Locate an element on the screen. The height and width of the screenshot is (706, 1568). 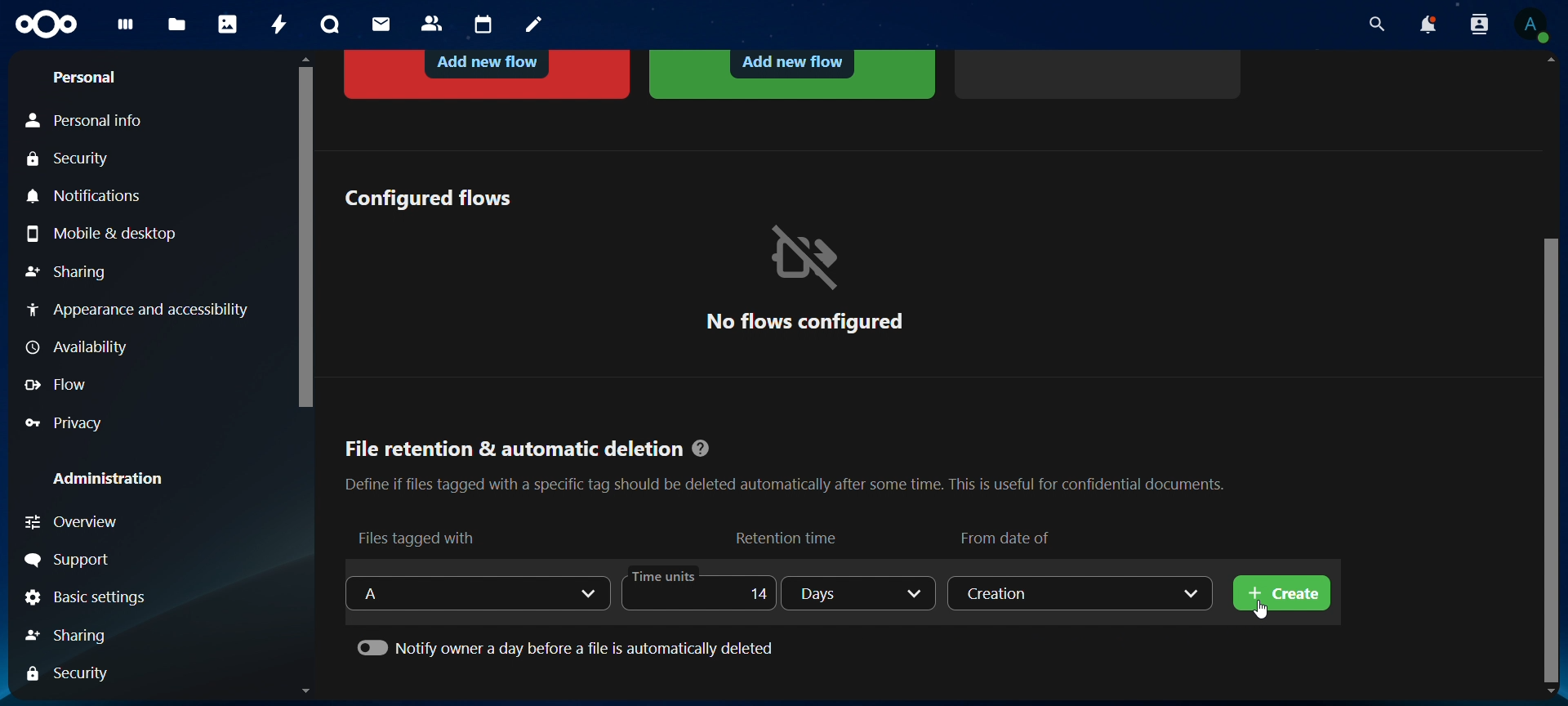
scrollbar is located at coordinates (1554, 457).